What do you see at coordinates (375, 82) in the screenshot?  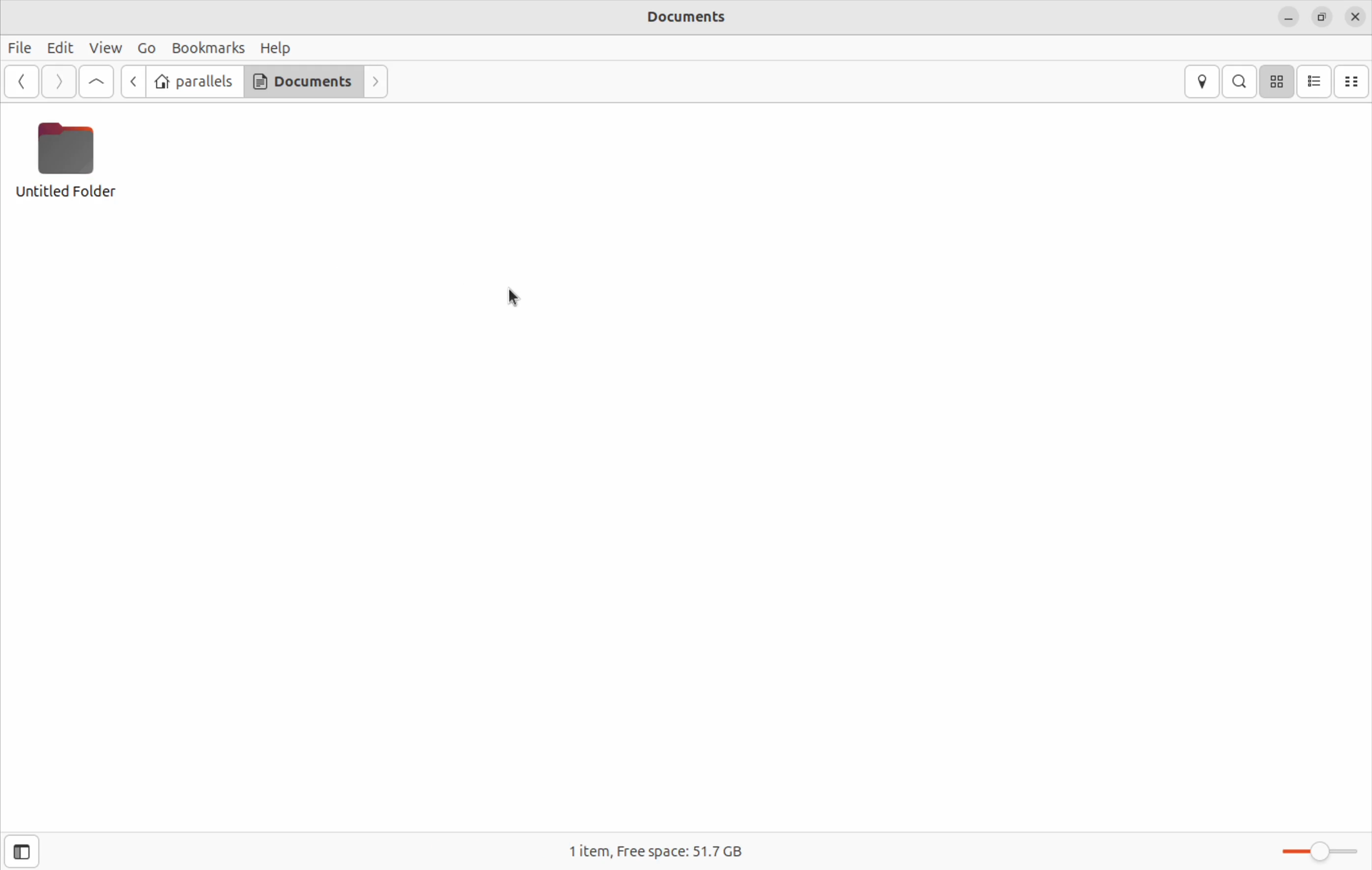 I see `Forward` at bounding box center [375, 82].